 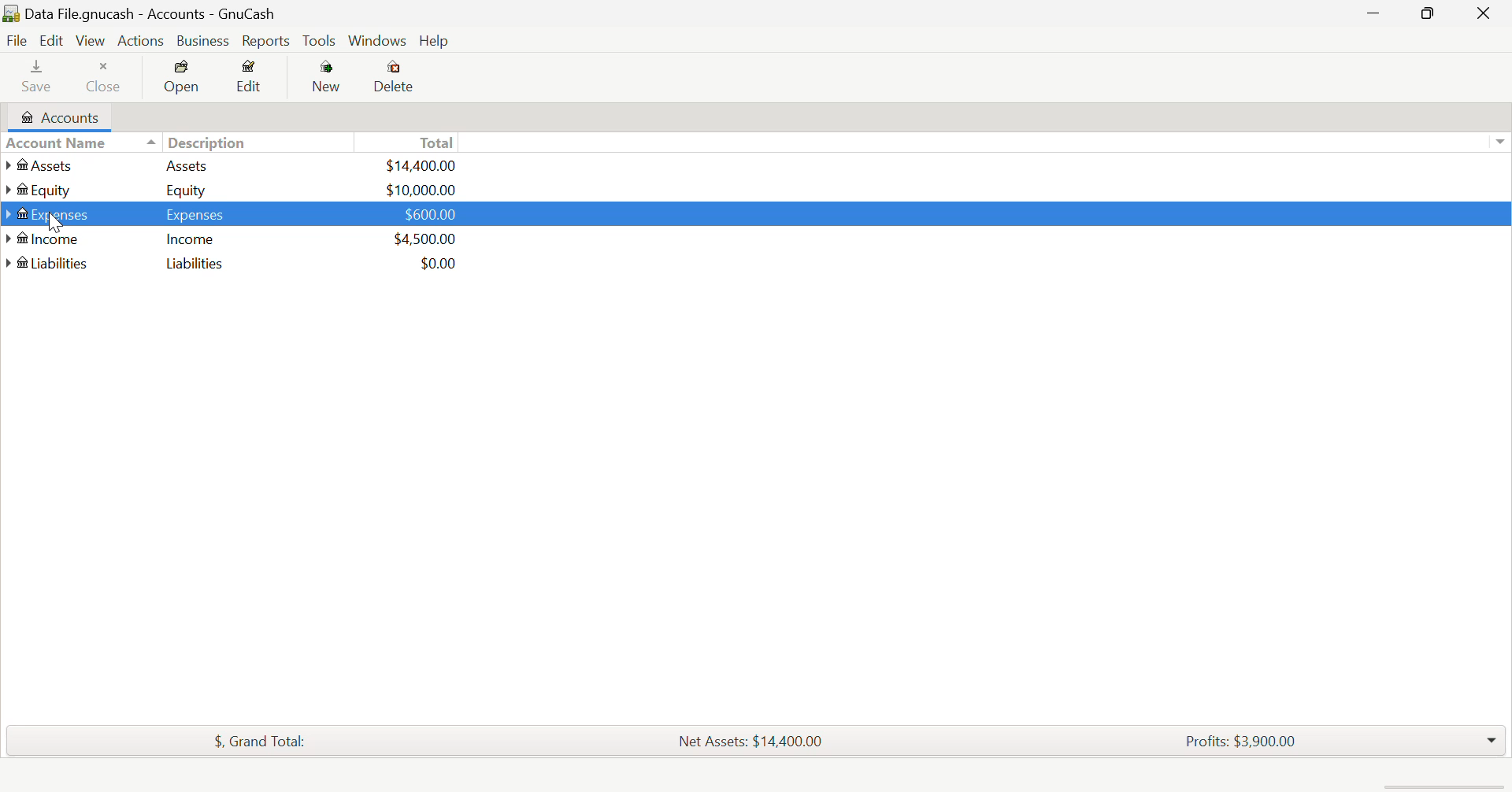 What do you see at coordinates (750, 742) in the screenshot?
I see `Assets` at bounding box center [750, 742].